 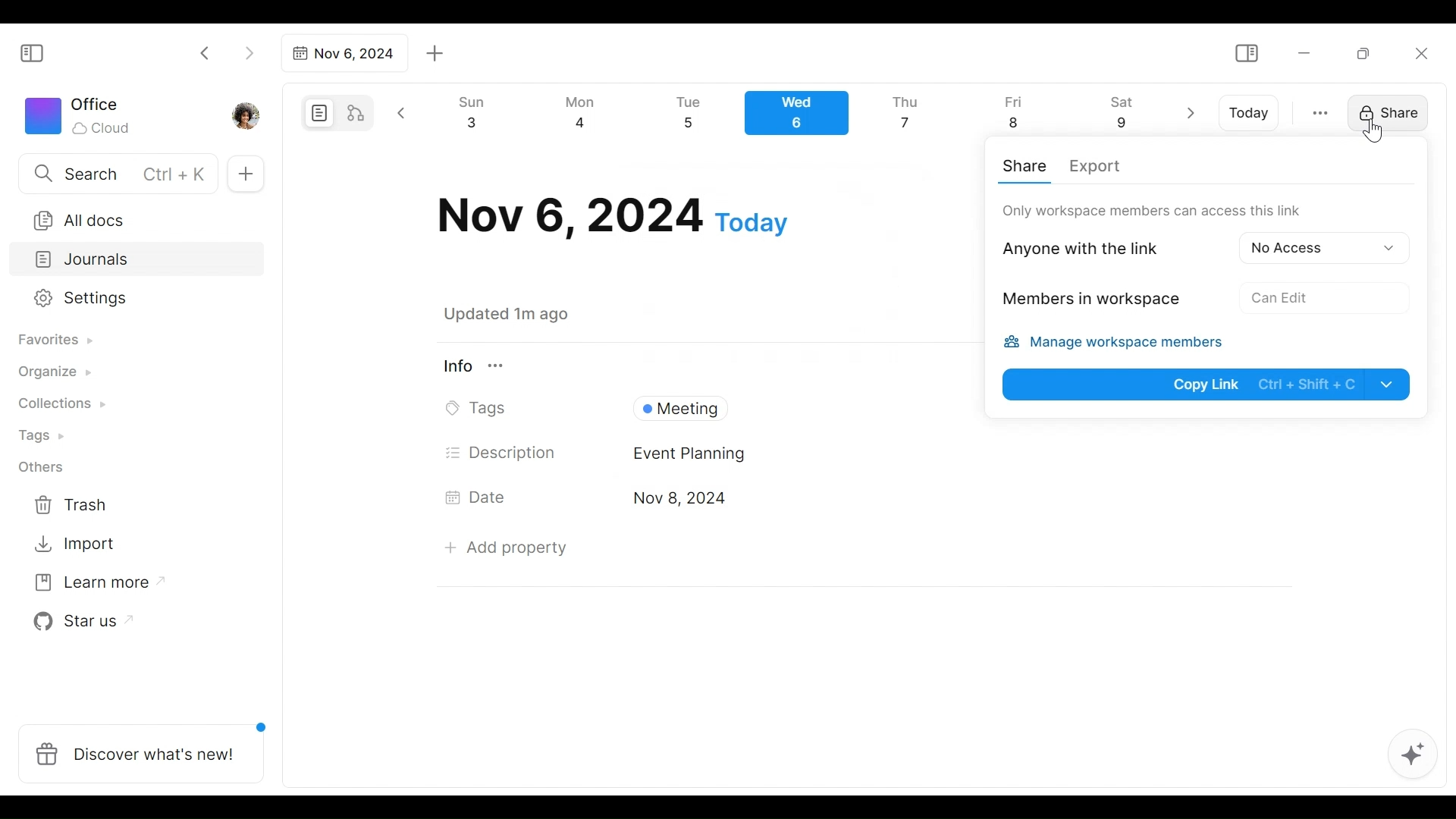 What do you see at coordinates (249, 52) in the screenshot?
I see `Click to go forward` at bounding box center [249, 52].